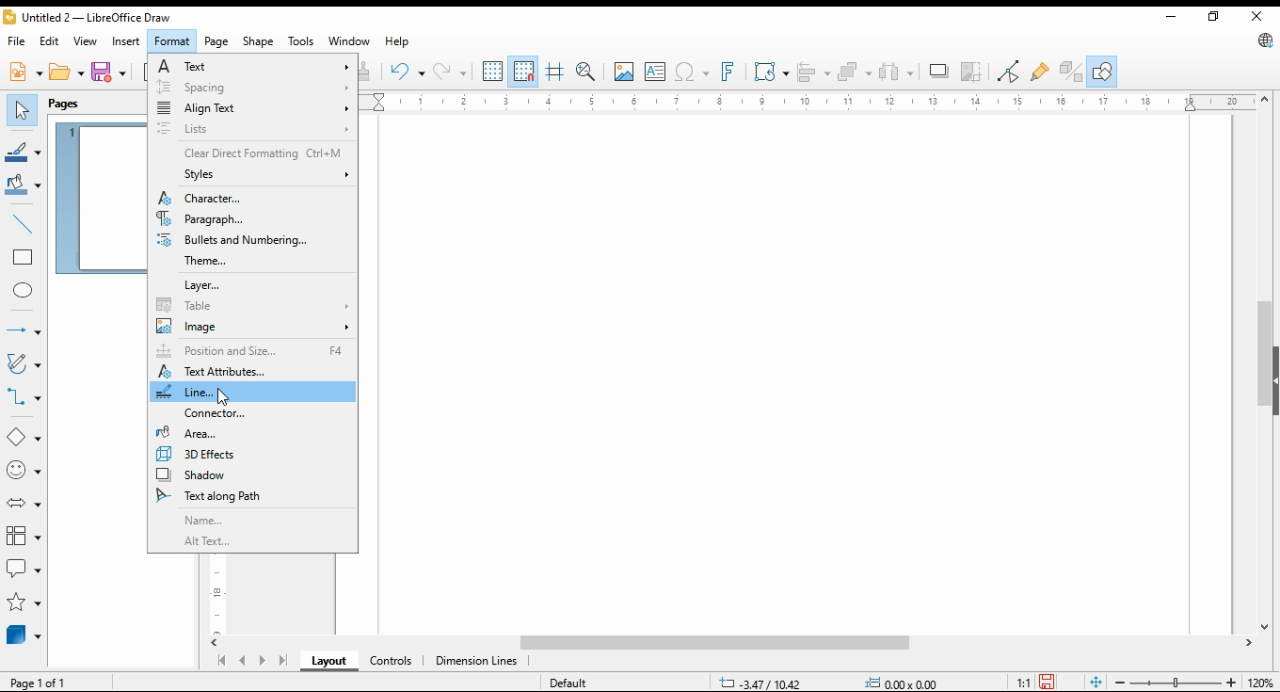 Image resolution: width=1280 pixels, height=692 pixels. Describe the element at coordinates (760, 683) in the screenshot. I see `-3.47/10.42` at that location.